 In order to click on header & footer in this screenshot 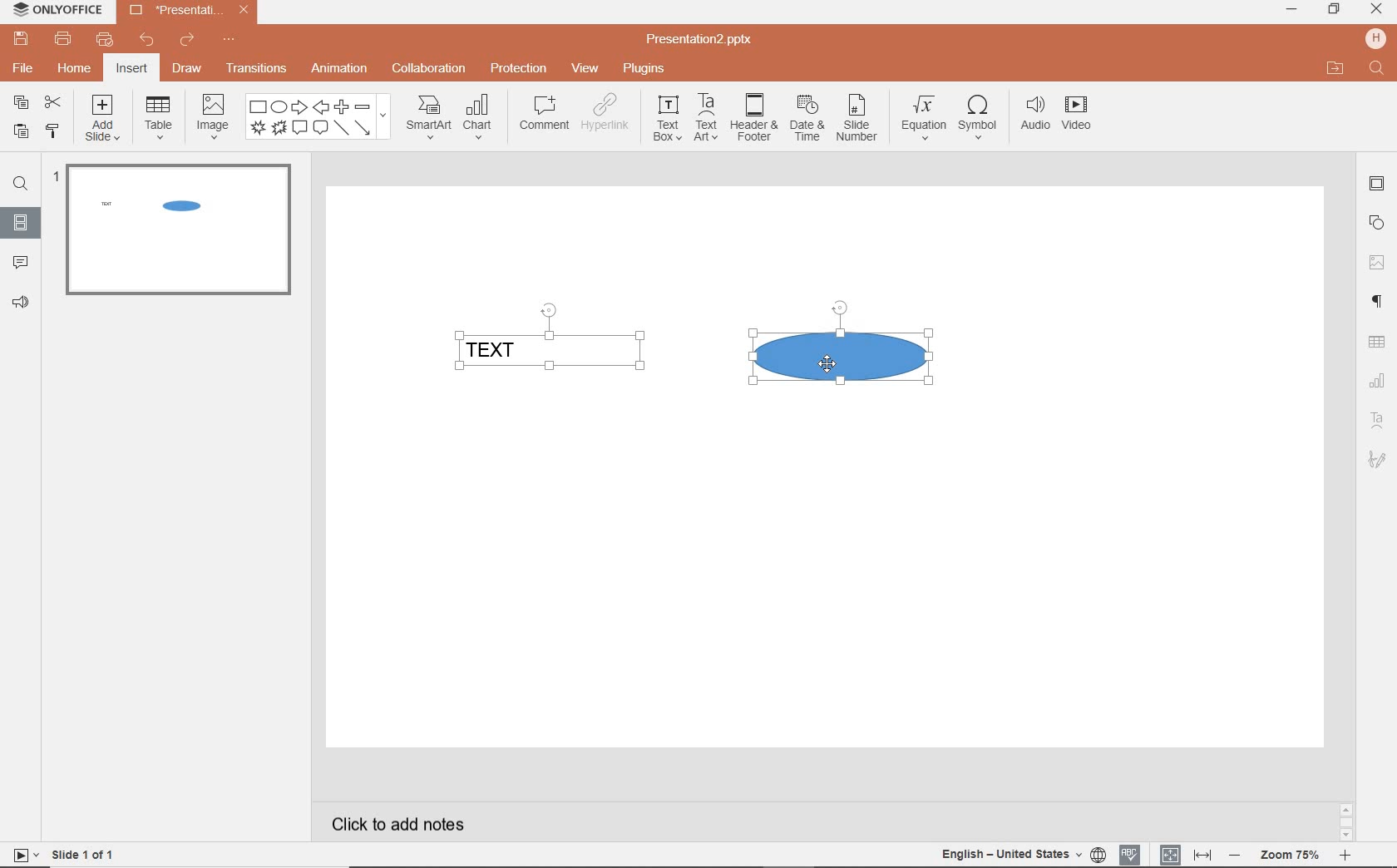, I will do `click(752, 119)`.